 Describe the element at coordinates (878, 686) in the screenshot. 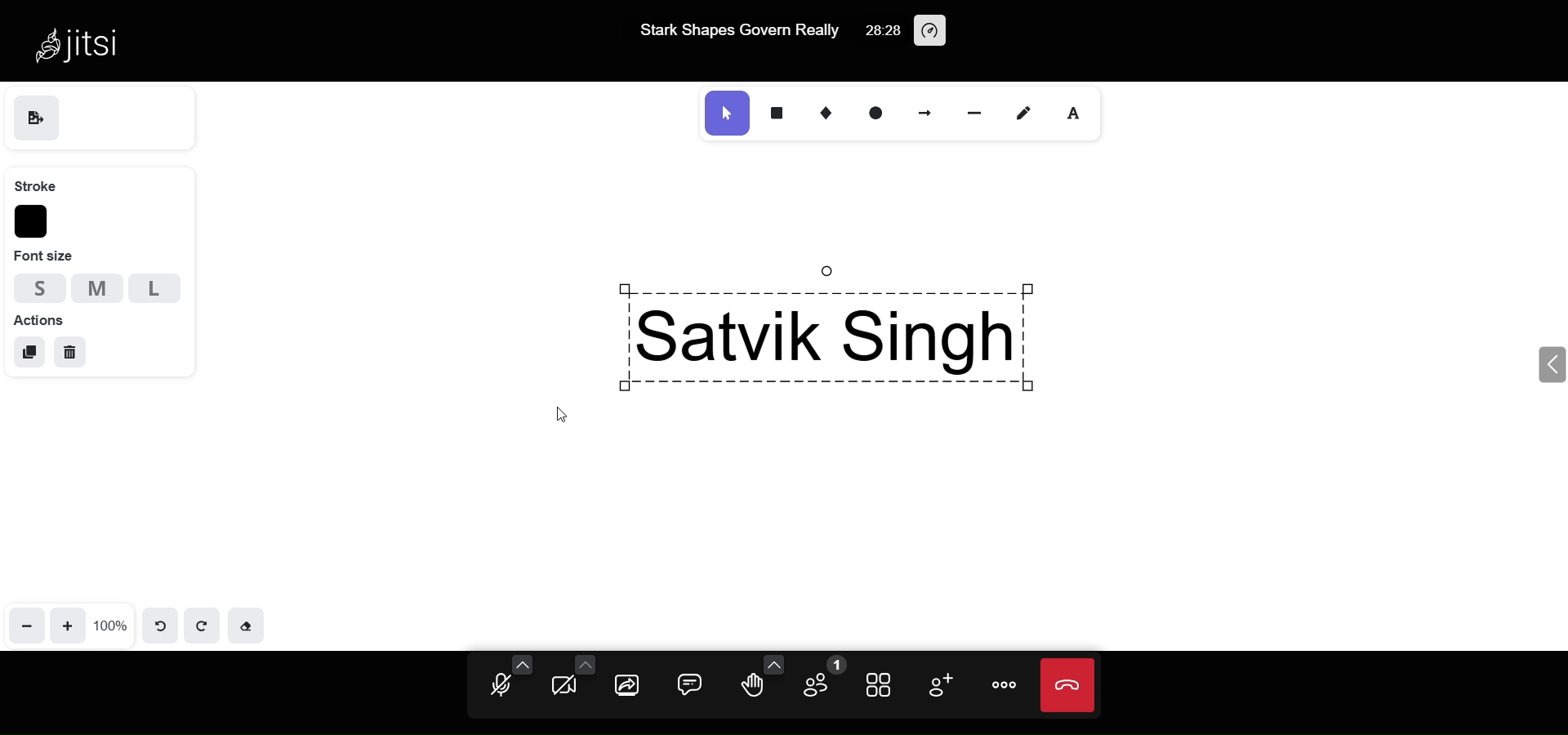

I see `tile view` at that location.